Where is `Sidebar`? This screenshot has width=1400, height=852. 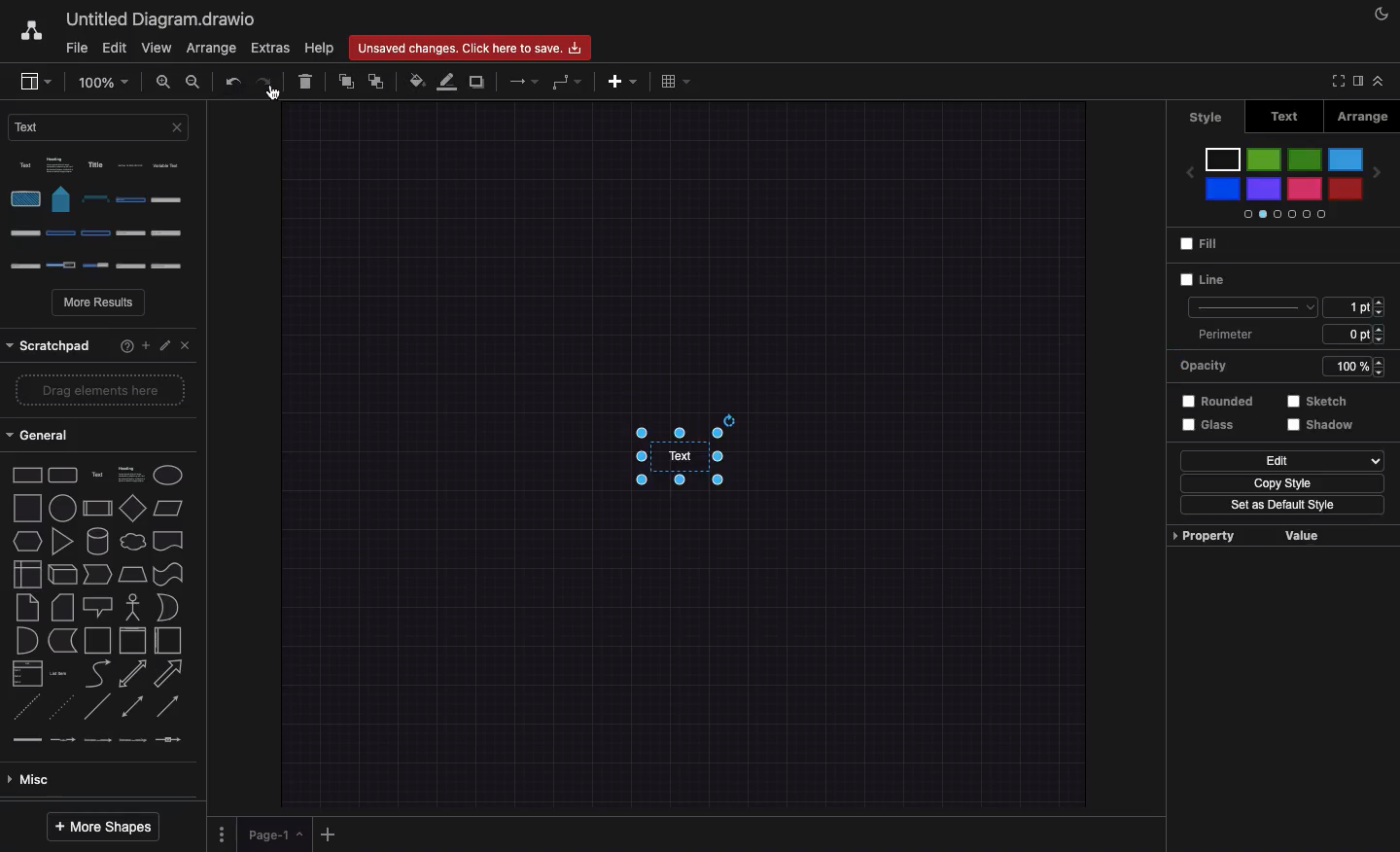 Sidebar is located at coordinates (35, 83).